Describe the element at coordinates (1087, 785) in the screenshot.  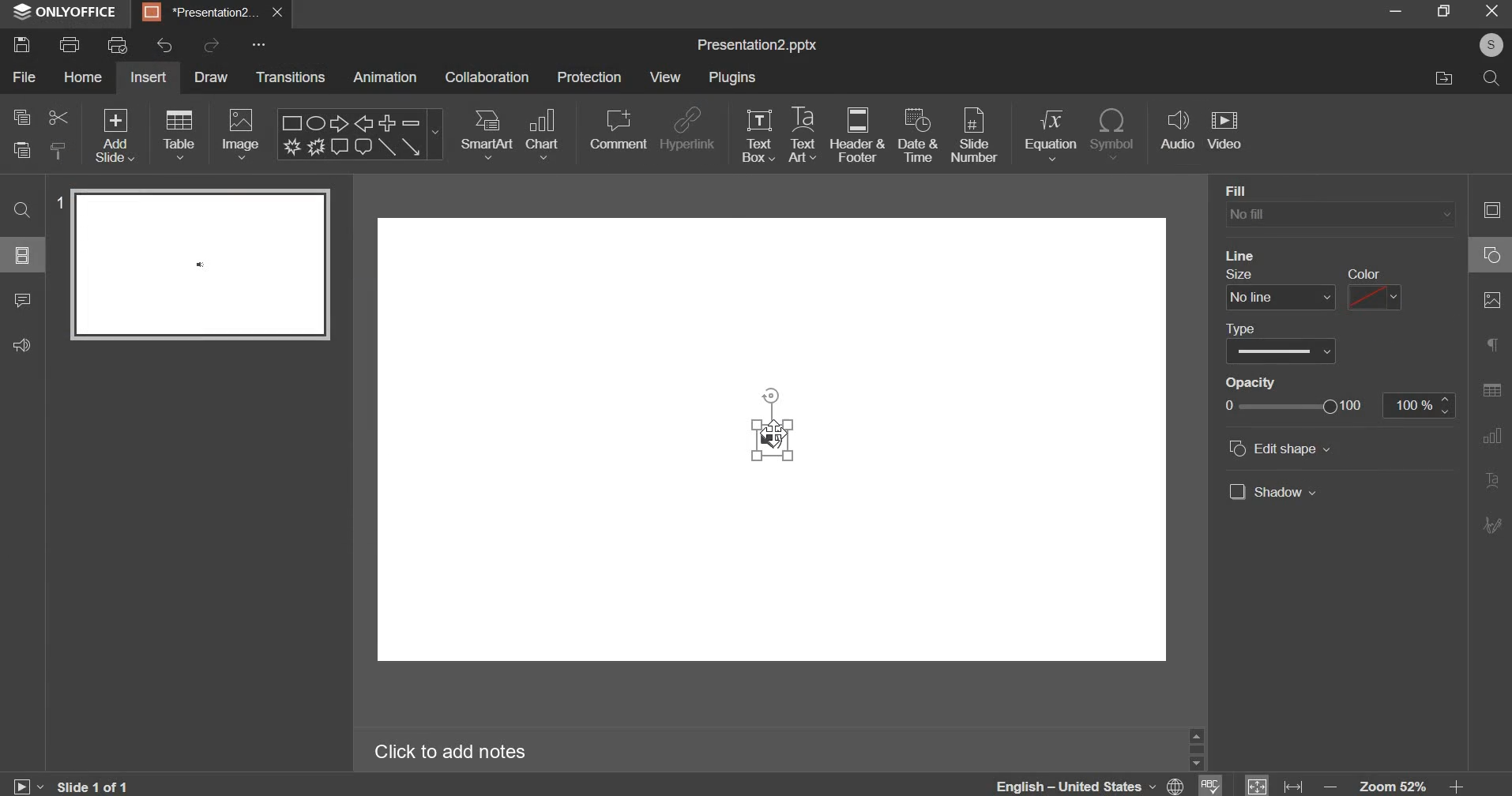
I see `language` at that location.